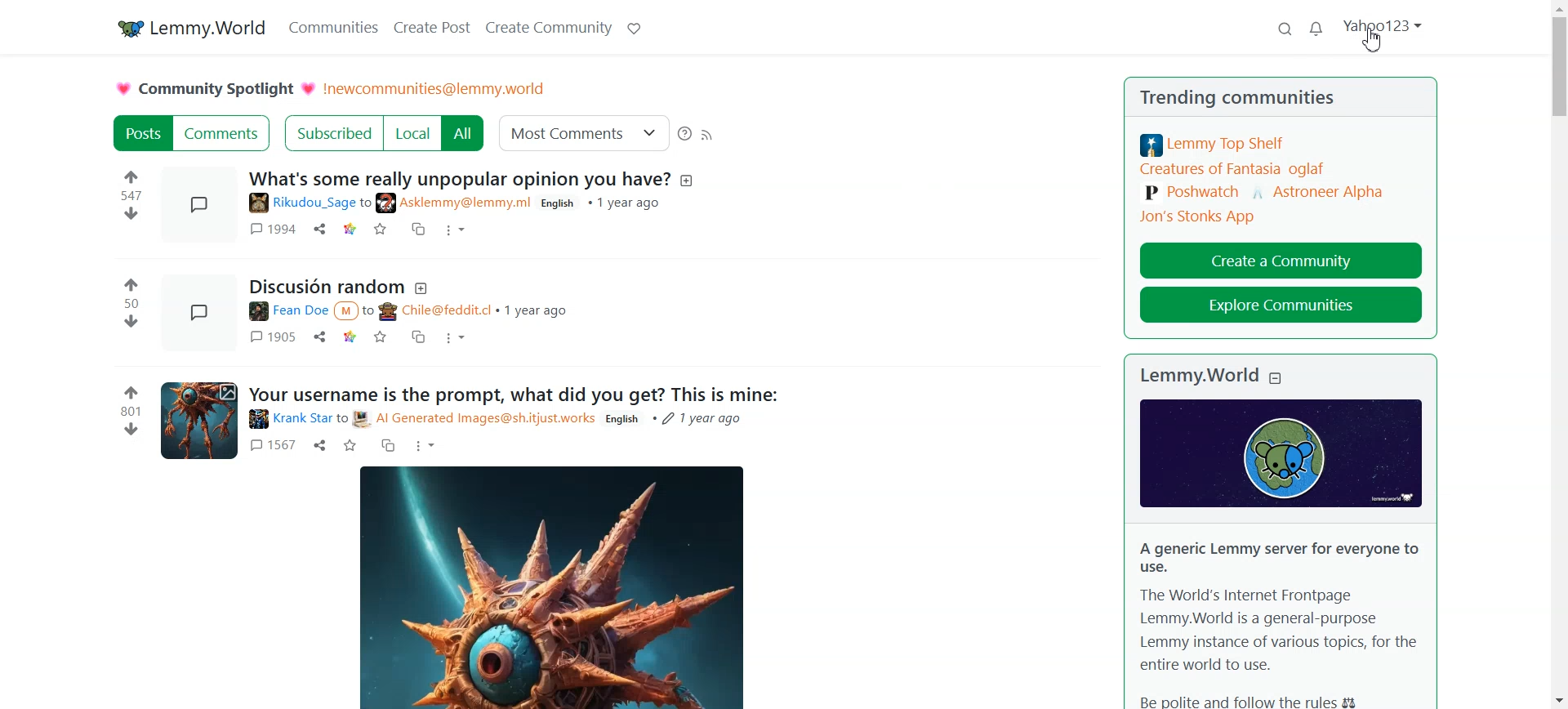 The height and width of the screenshot is (709, 1568). What do you see at coordinates (223, 133) in the screenshot?
I see `Comments` at bounding box center [223, 133].